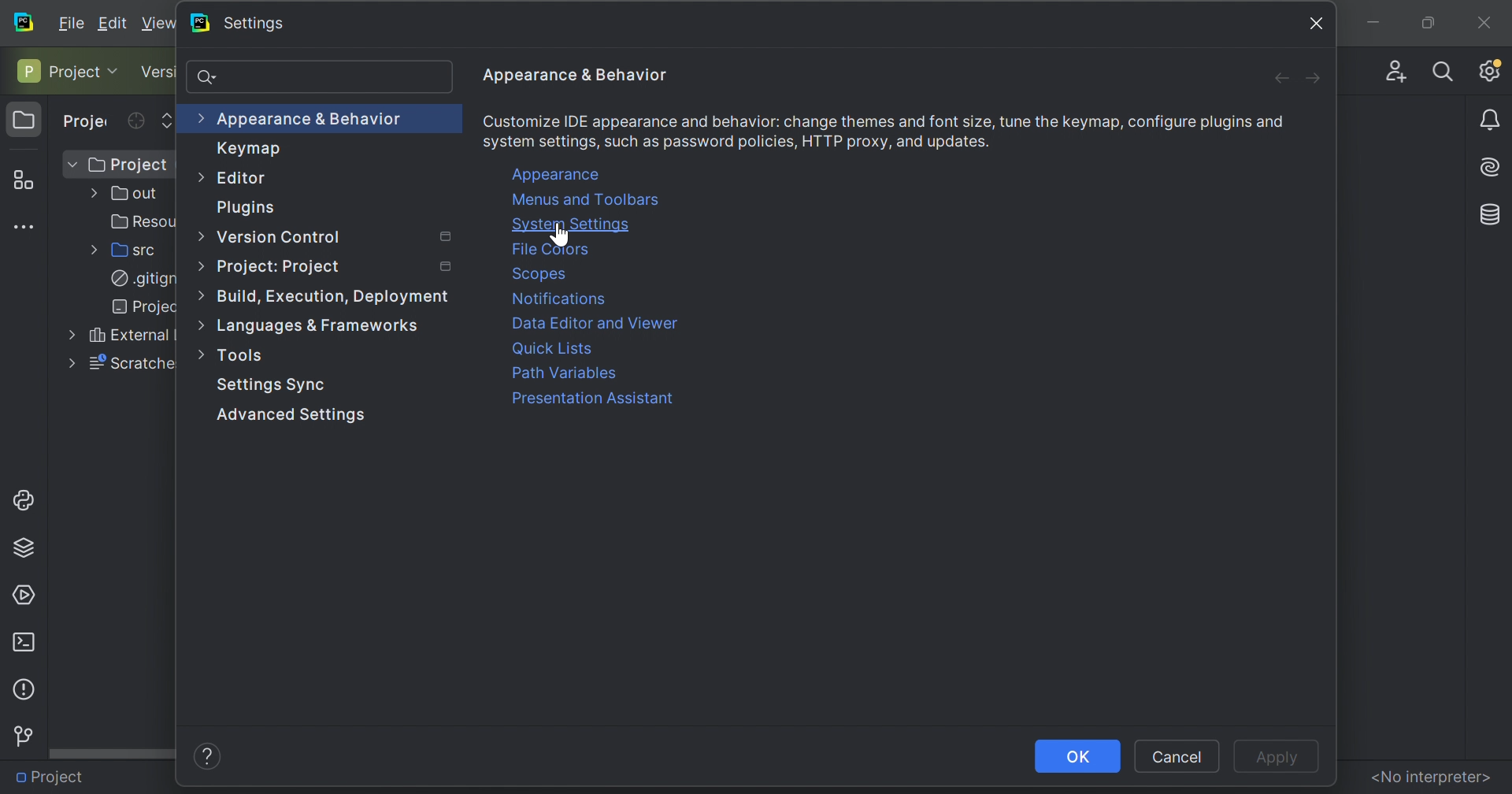 This screenshot has height=794, width=1512. Describe the element at coordinates (1492, 121) in the screenshot. I see `Notifications` at that location.